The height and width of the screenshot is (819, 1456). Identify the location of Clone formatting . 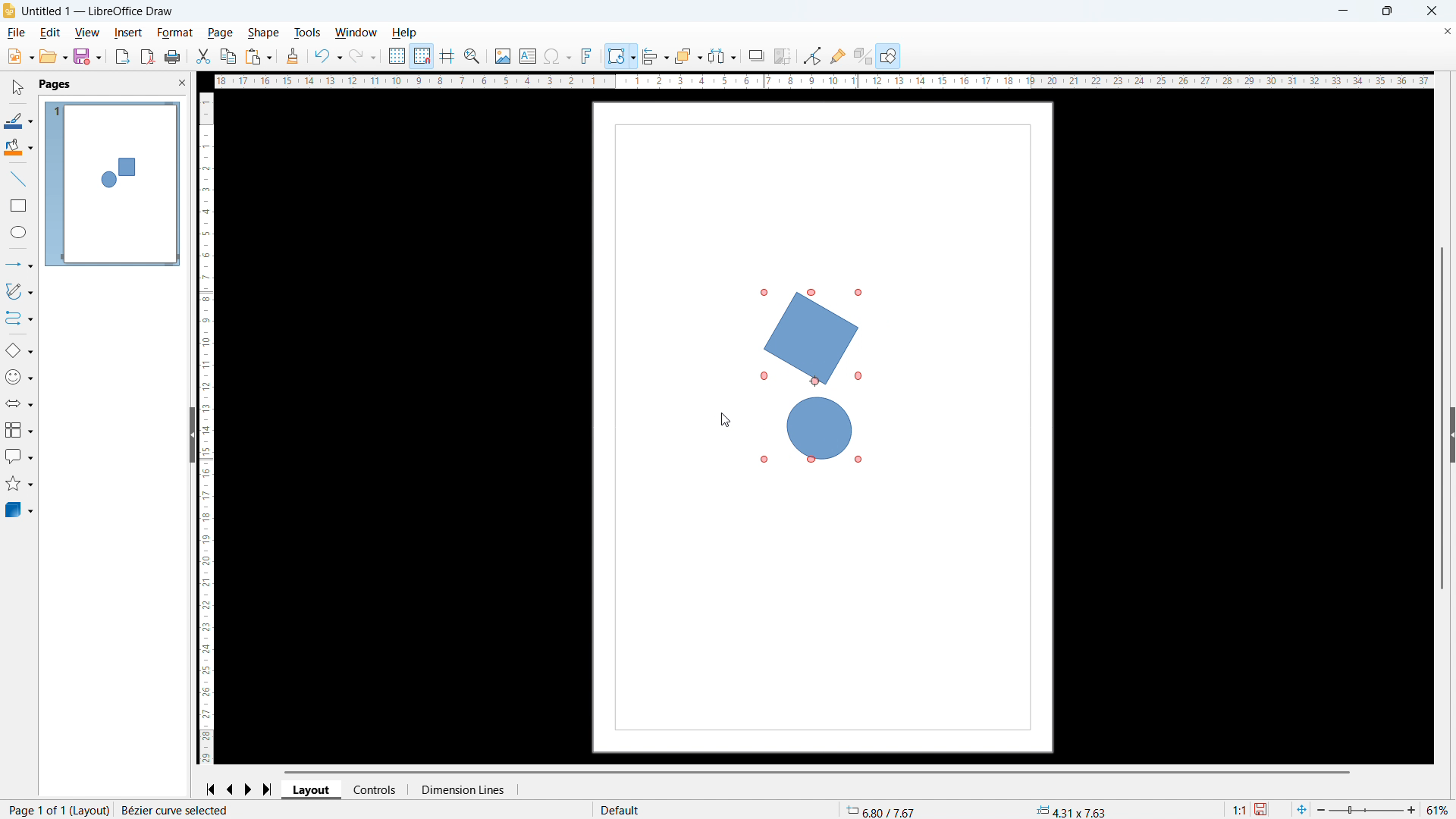
(293, 56).